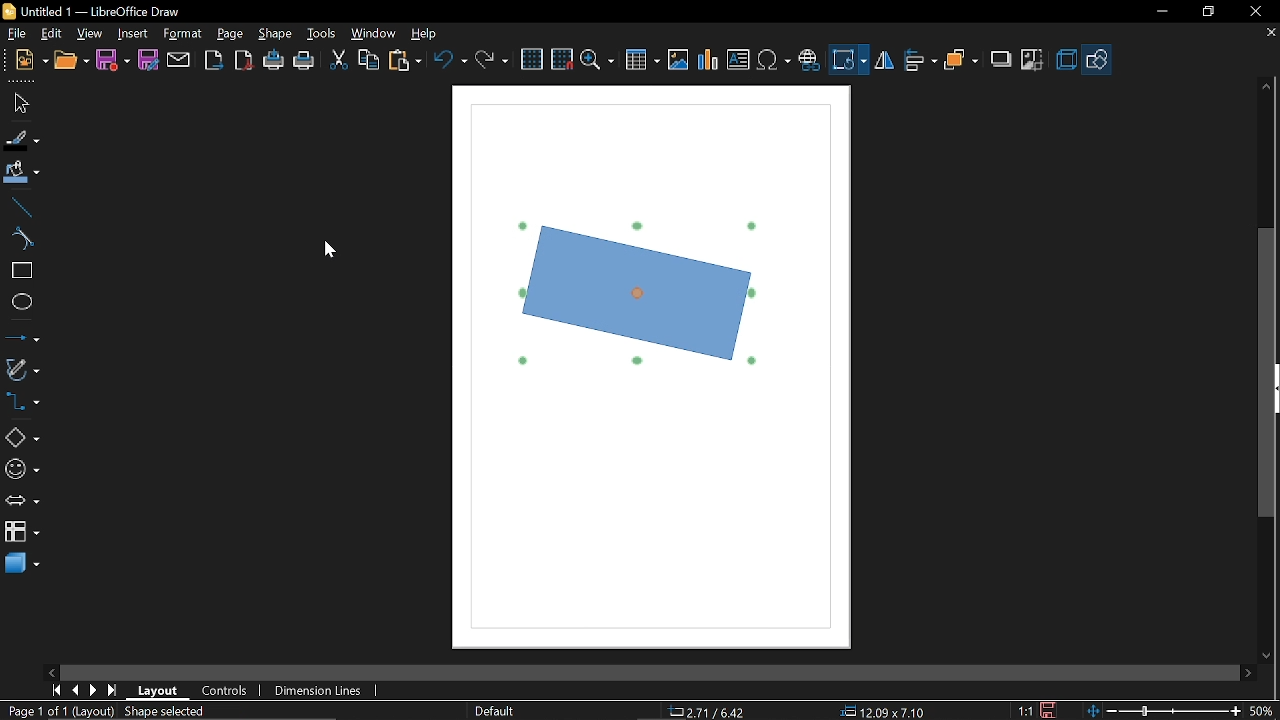 The height and width of the screenshot is (720, 1280). I want to click on 3d effect, so click(1066, 60).